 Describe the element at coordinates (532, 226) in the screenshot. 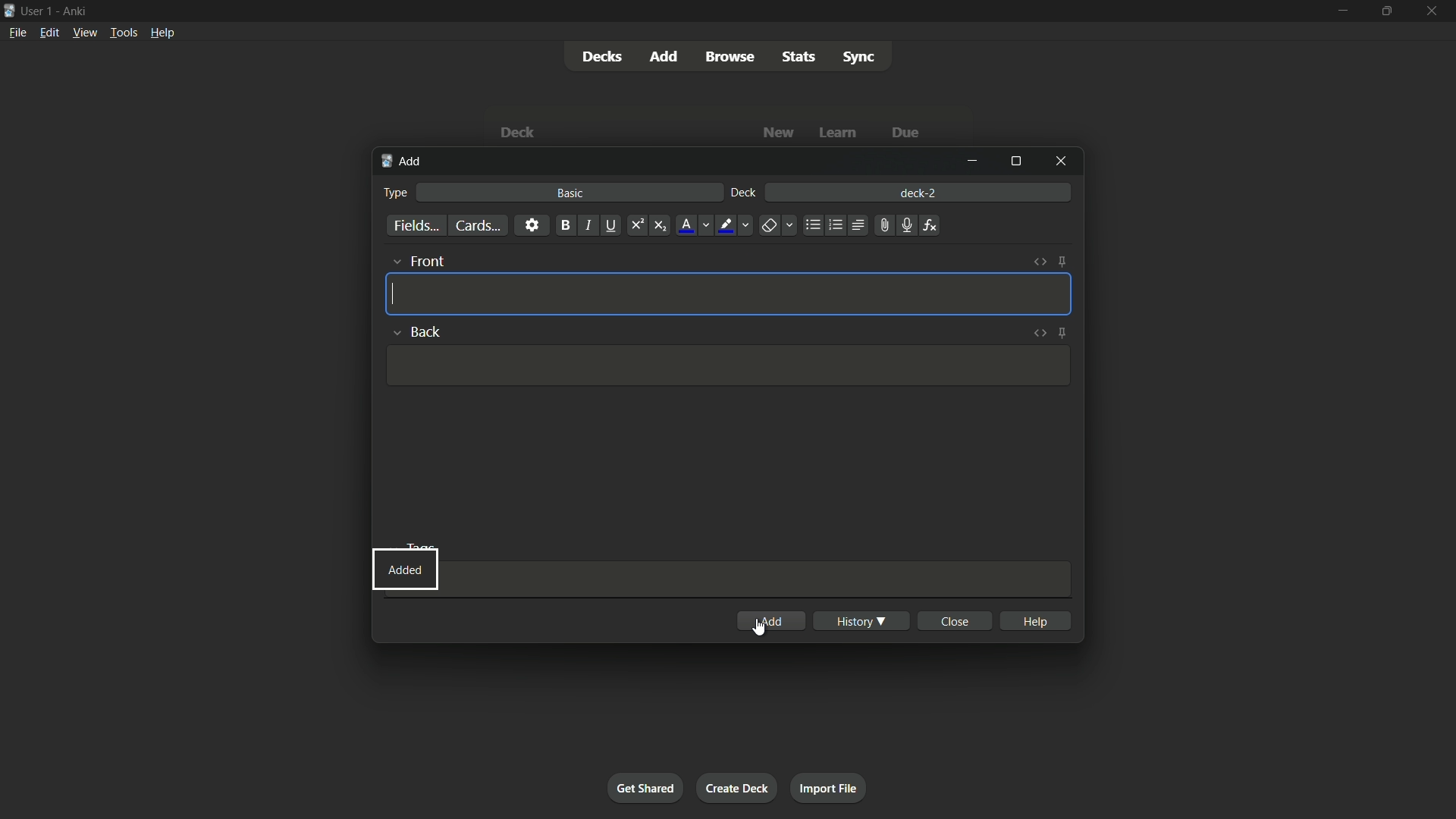

I see `settings` at that location.